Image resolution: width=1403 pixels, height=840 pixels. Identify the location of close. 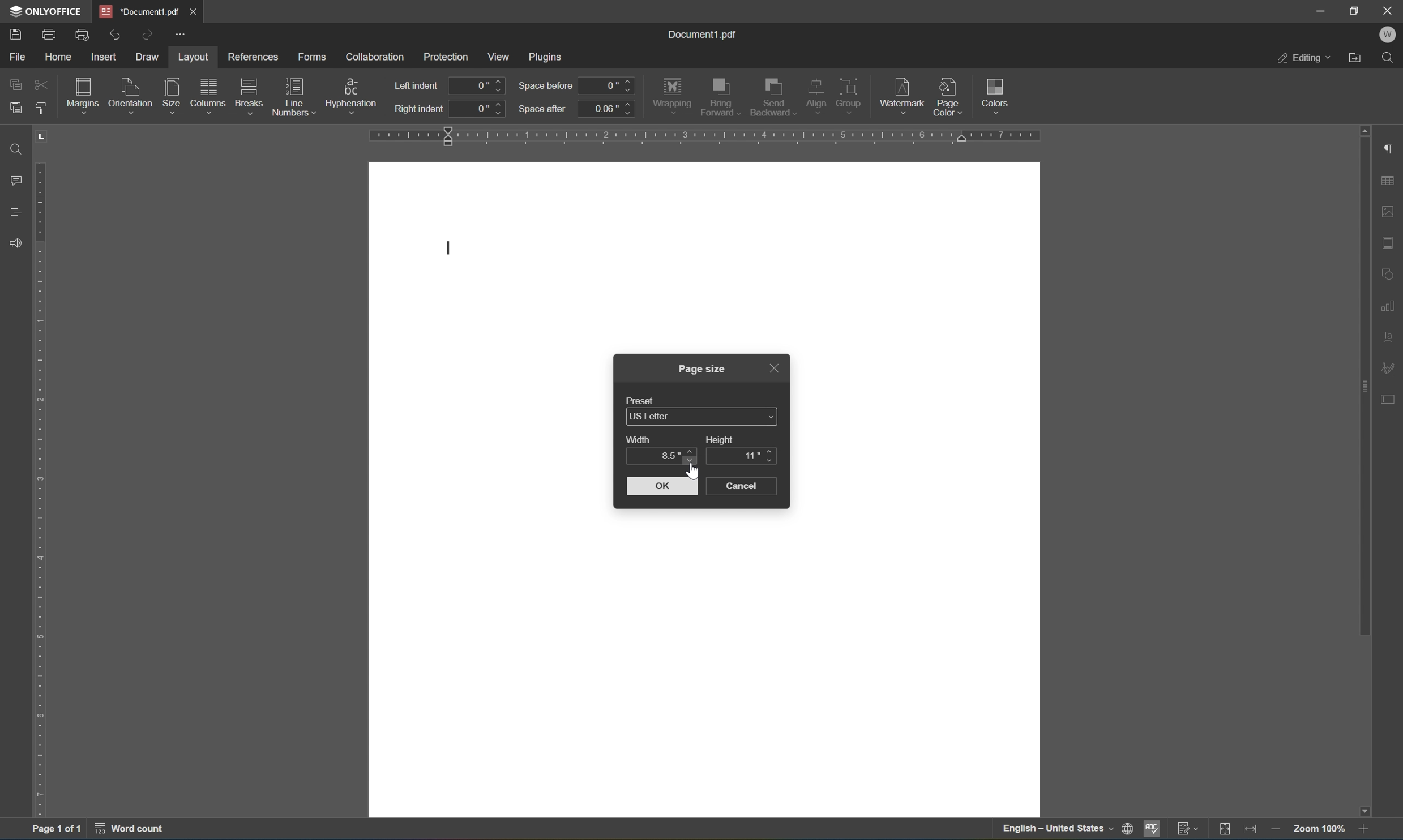
(1388, 10).